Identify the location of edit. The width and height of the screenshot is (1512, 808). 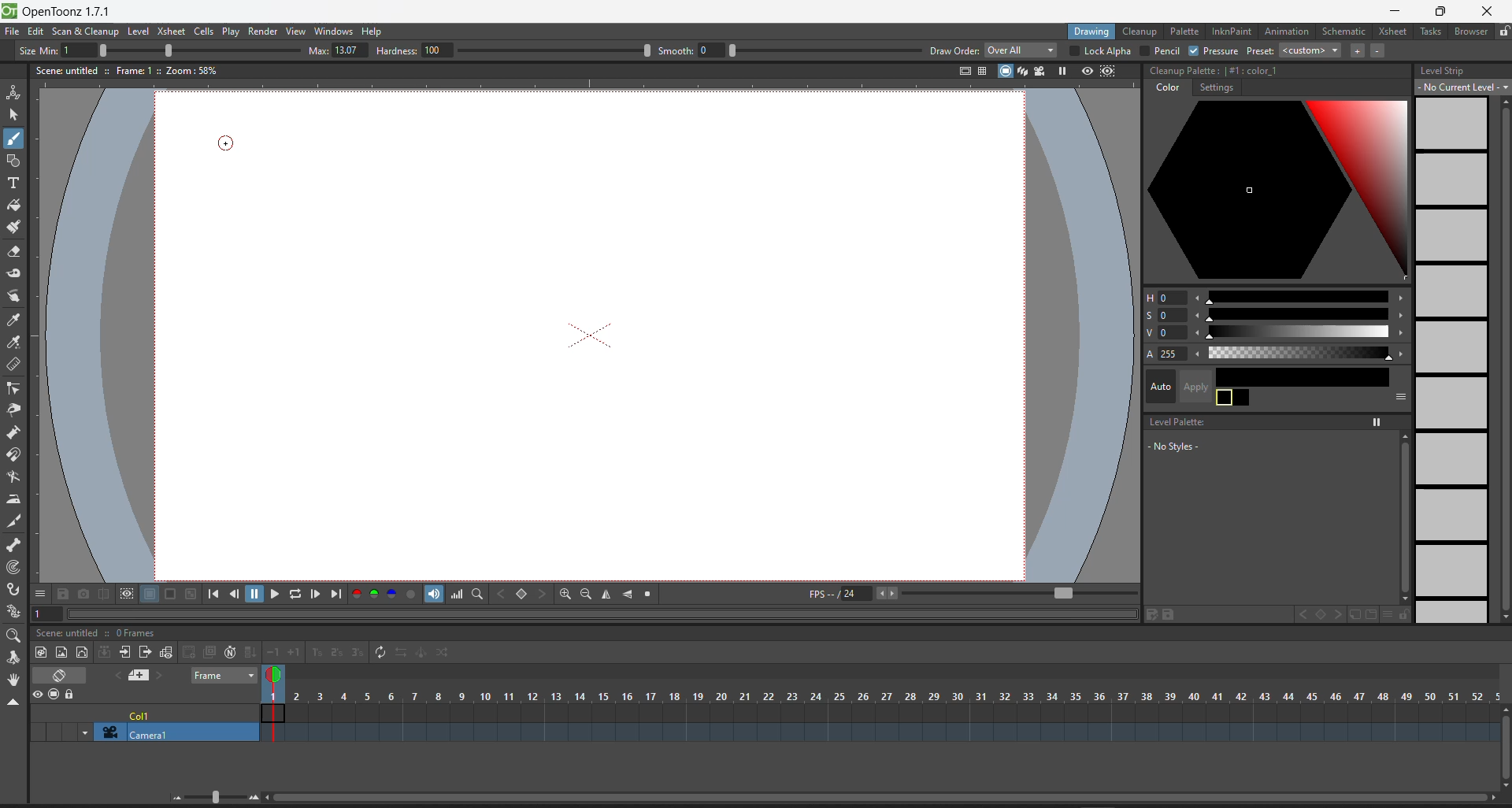
(38, 33).